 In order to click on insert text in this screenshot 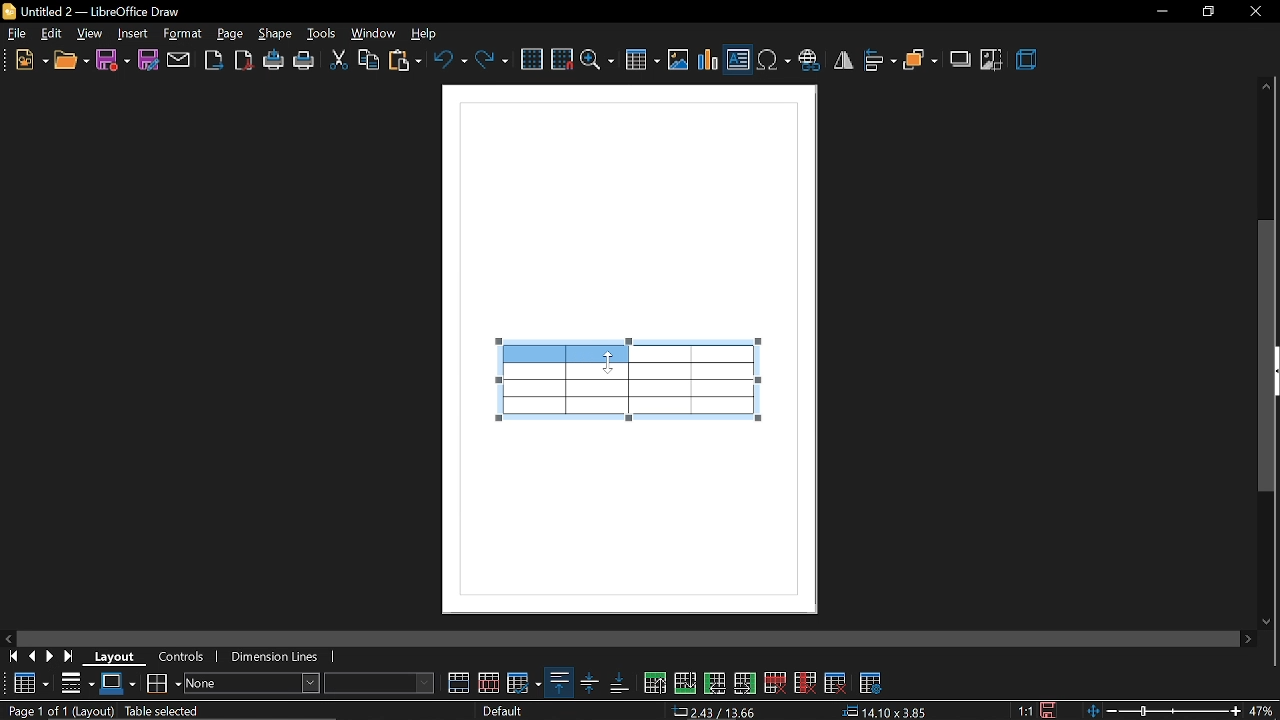, I will do `click(739, 58)`.